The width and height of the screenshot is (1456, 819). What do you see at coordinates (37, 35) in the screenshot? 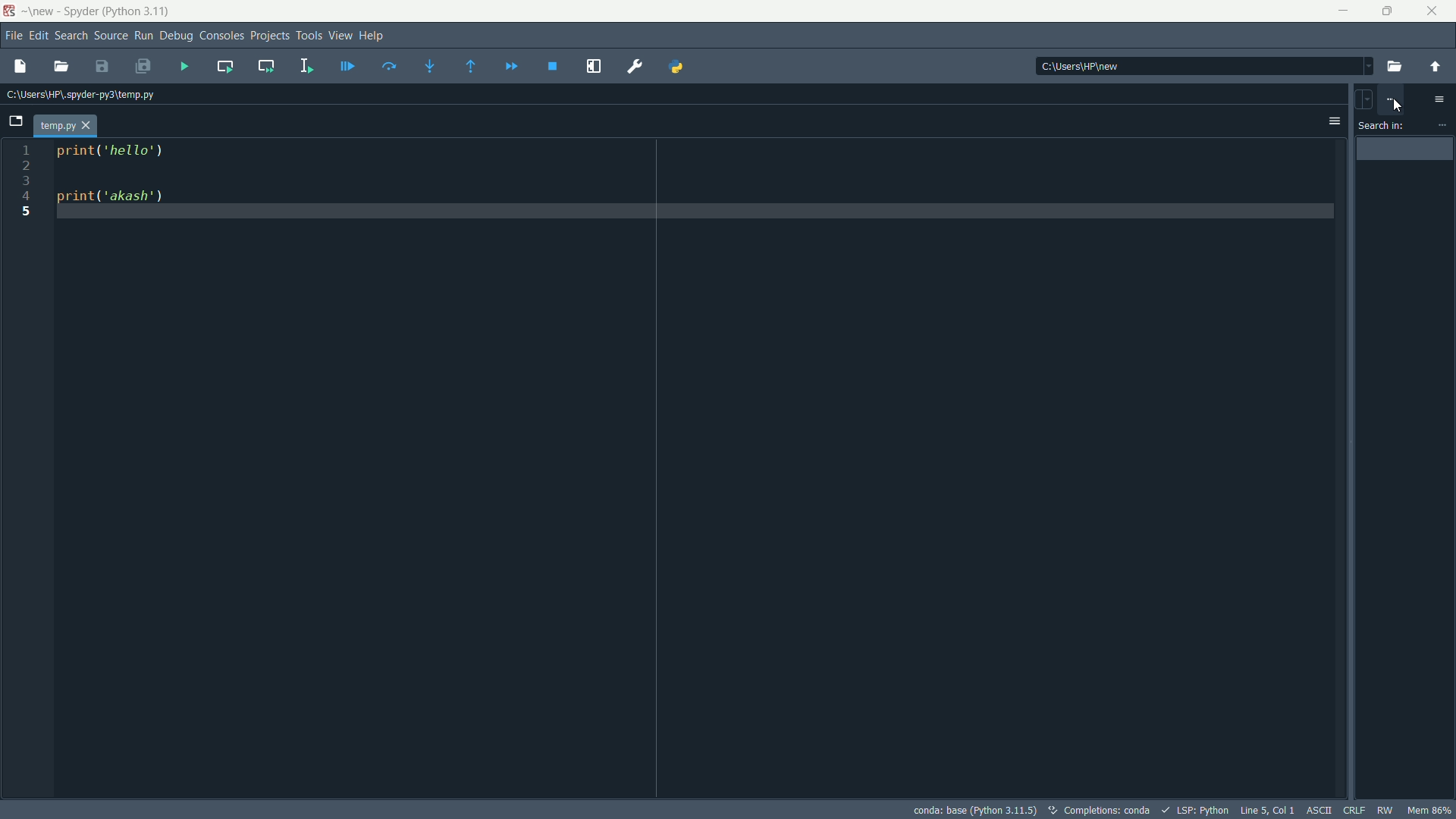
I see `Edit menu` at bounding box center [37, 35].